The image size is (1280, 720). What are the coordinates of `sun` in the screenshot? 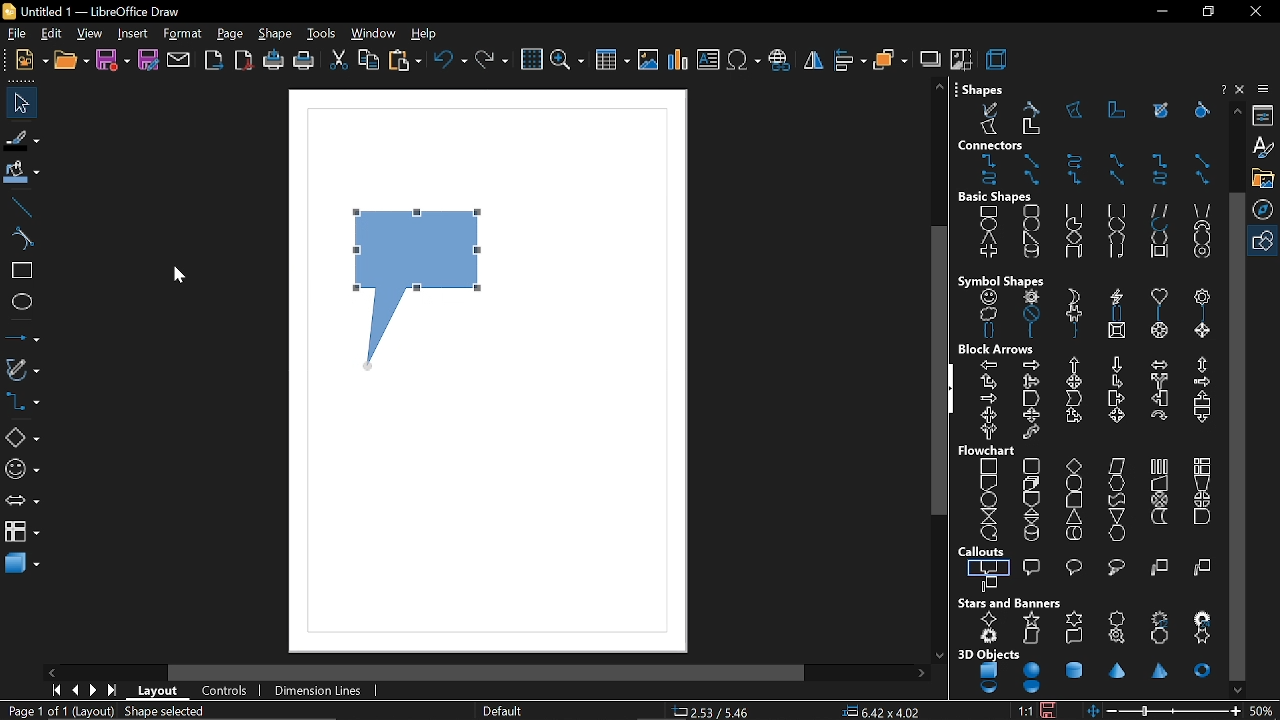 It's located at (1032, 297).